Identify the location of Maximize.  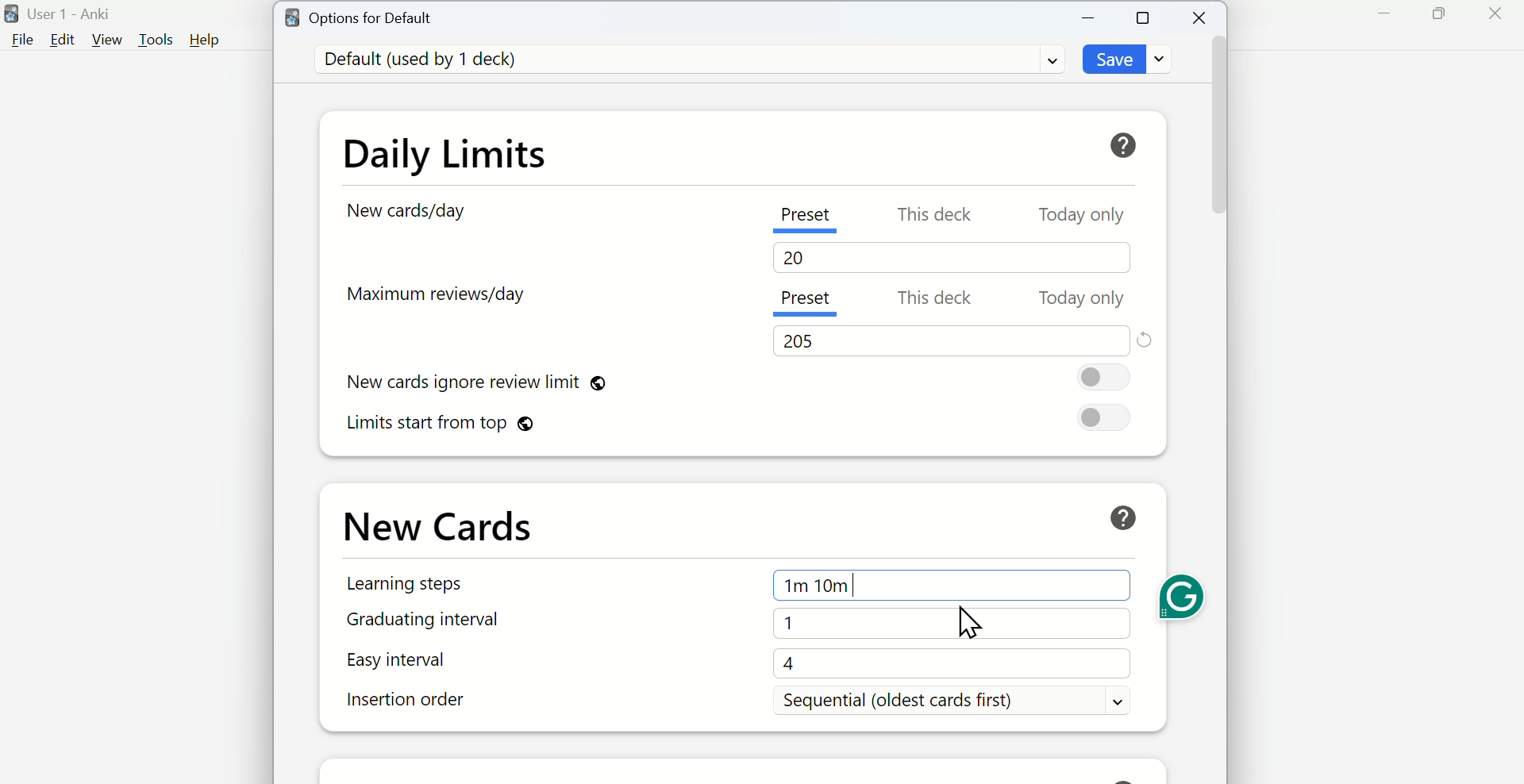
(1147, 19).